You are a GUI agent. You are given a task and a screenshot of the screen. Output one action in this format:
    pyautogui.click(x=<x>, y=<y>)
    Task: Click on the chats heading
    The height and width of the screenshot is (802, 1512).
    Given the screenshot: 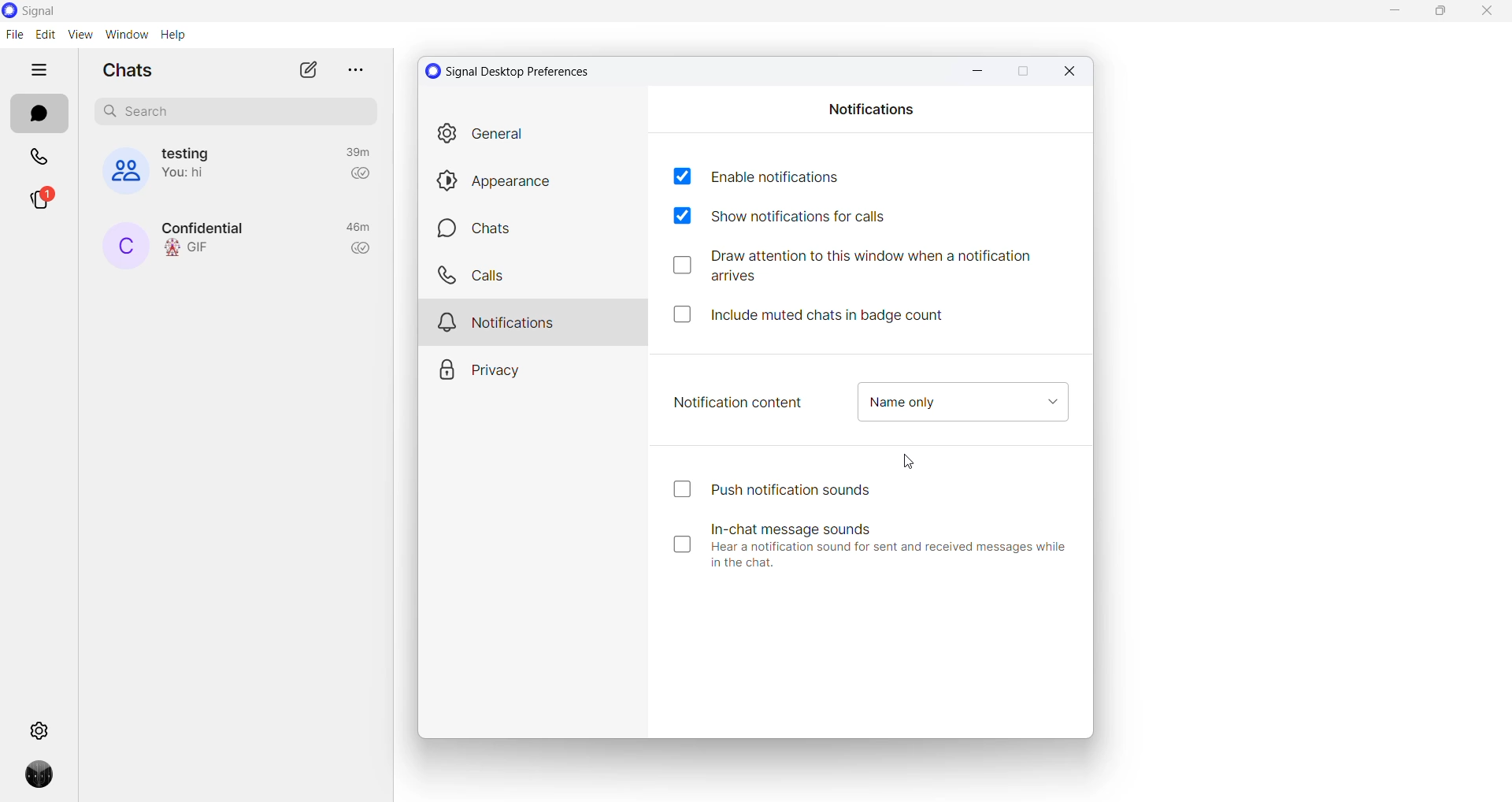 What is the action you would take?
    pyautogui.click(x=127, y=71)
    